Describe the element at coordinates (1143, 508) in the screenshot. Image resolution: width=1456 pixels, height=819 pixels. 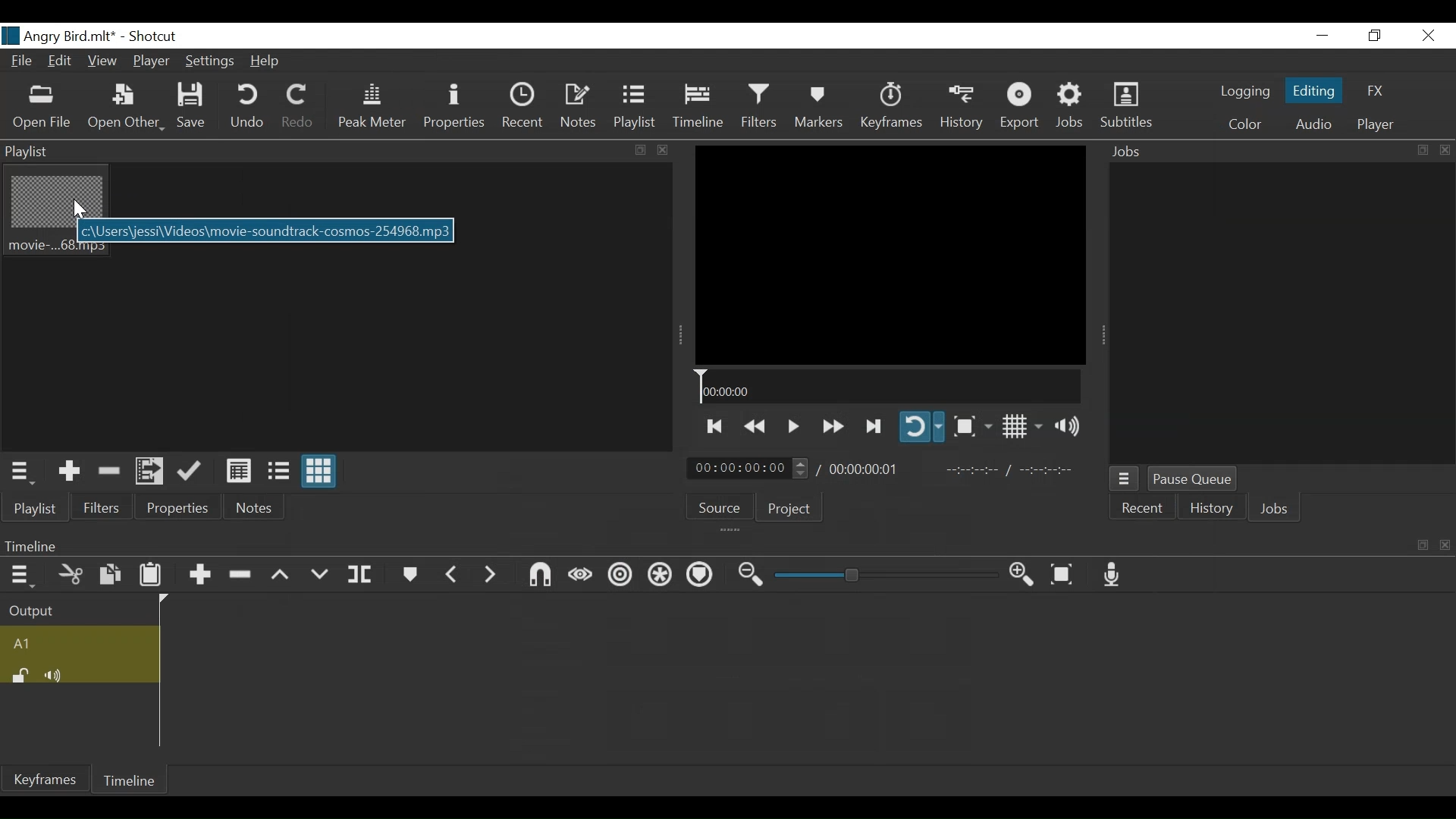
I see `Recent` at that location.